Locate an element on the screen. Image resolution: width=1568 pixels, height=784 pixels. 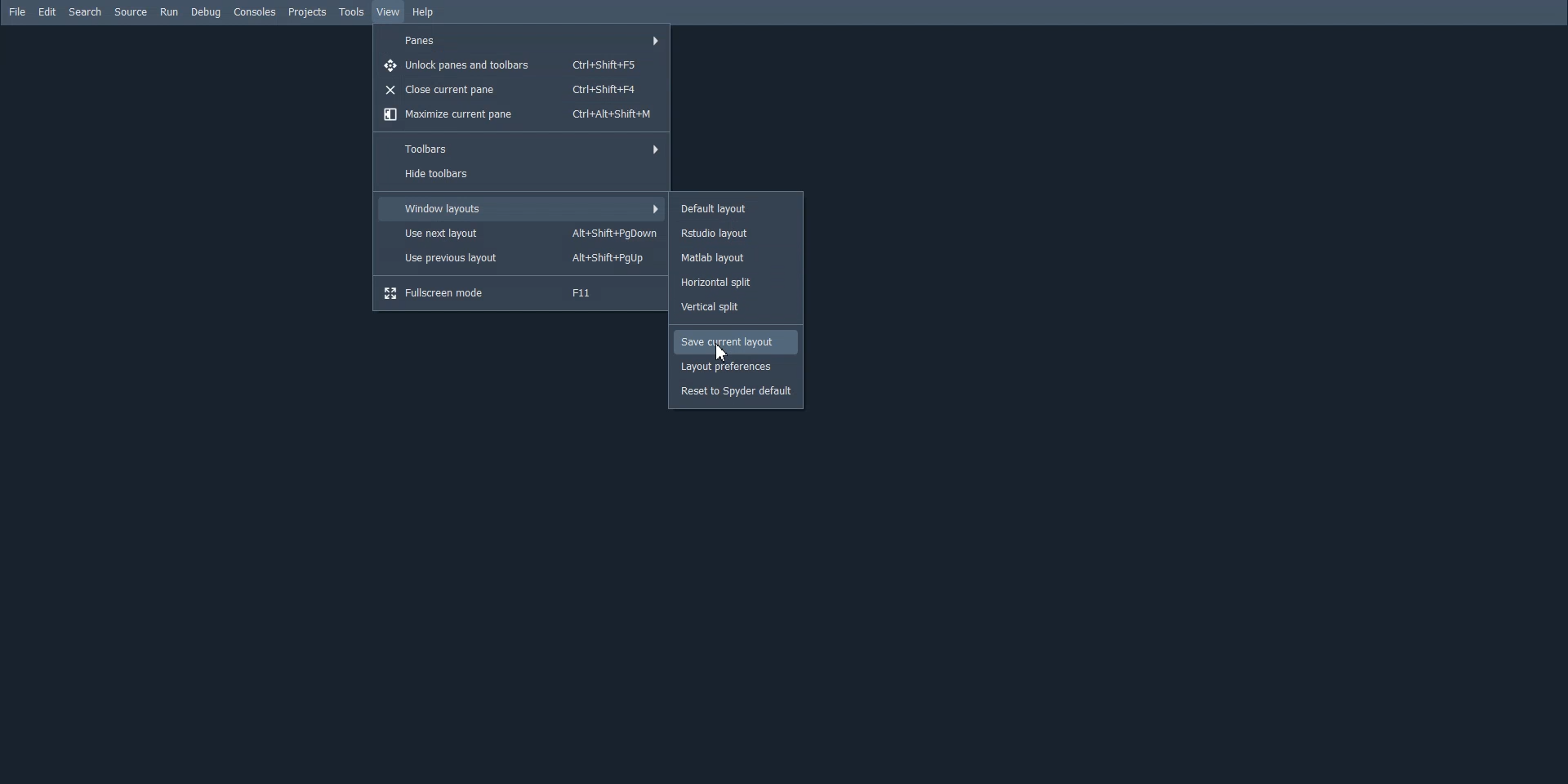
Projects is located at coordinates (307, 12).